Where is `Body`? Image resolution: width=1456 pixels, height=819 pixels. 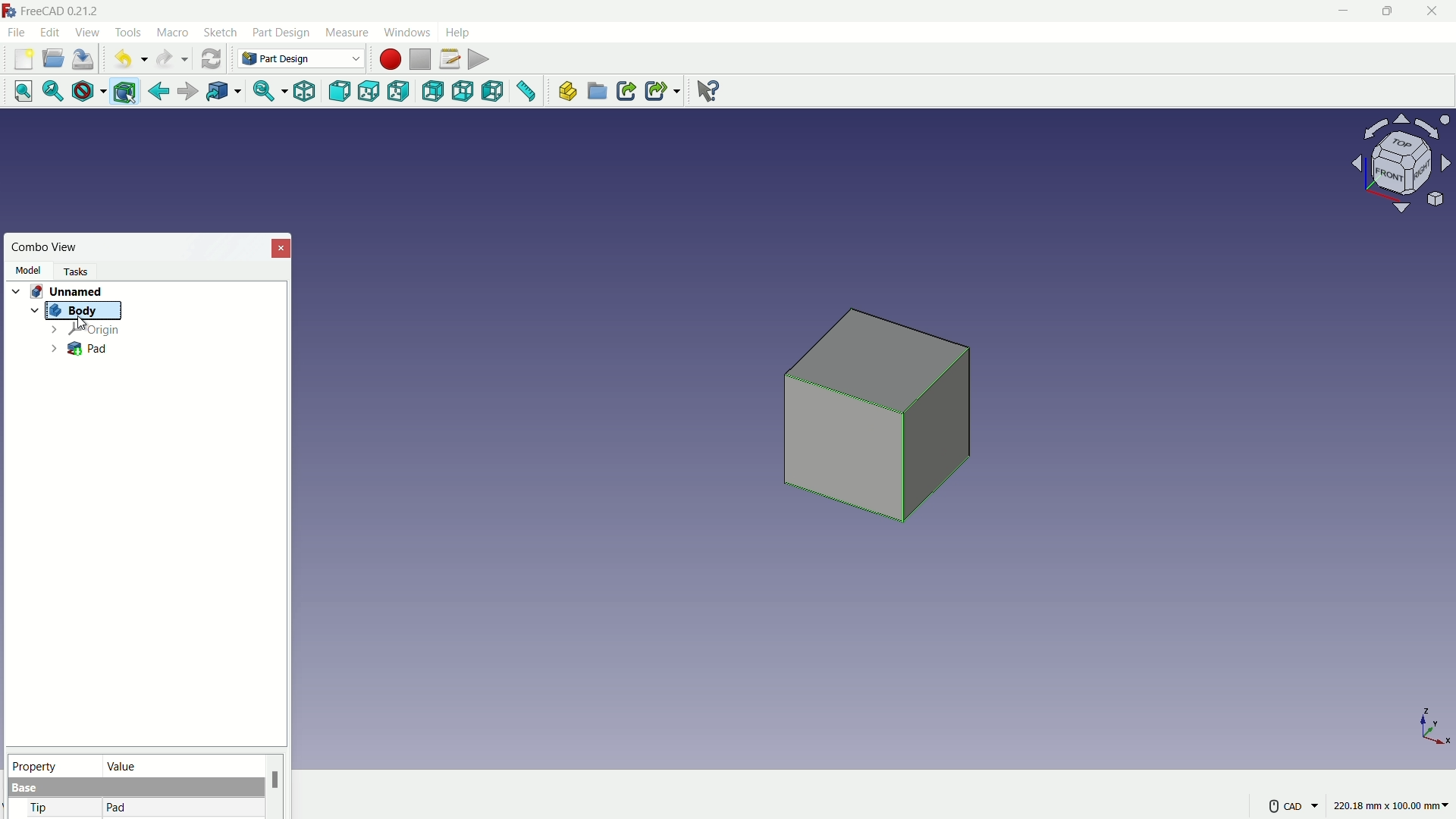 Body is located at coordinates (80, 311).